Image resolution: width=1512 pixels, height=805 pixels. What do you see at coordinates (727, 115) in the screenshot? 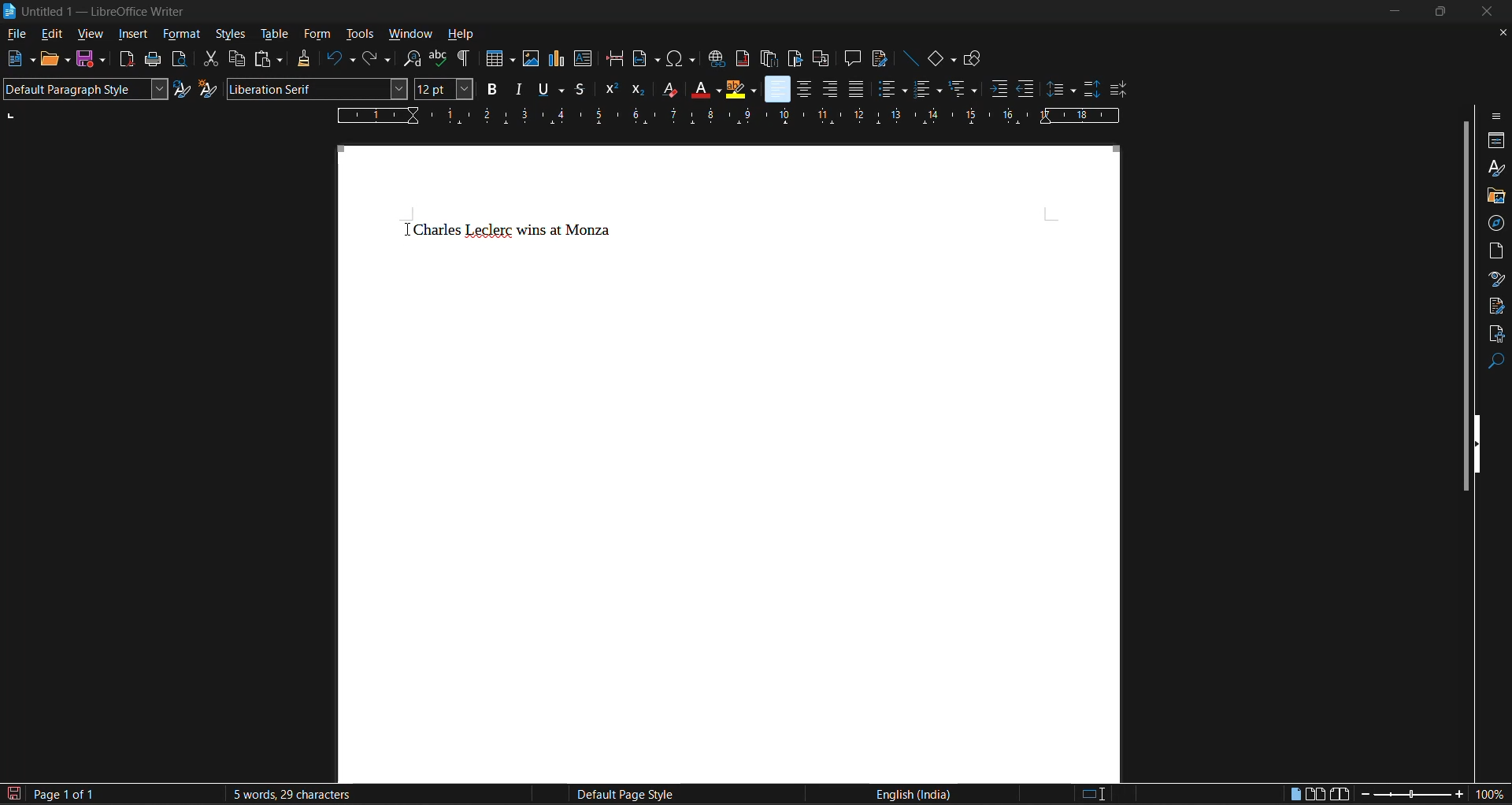
I see `page ruler` at bounding box center [727, 115].